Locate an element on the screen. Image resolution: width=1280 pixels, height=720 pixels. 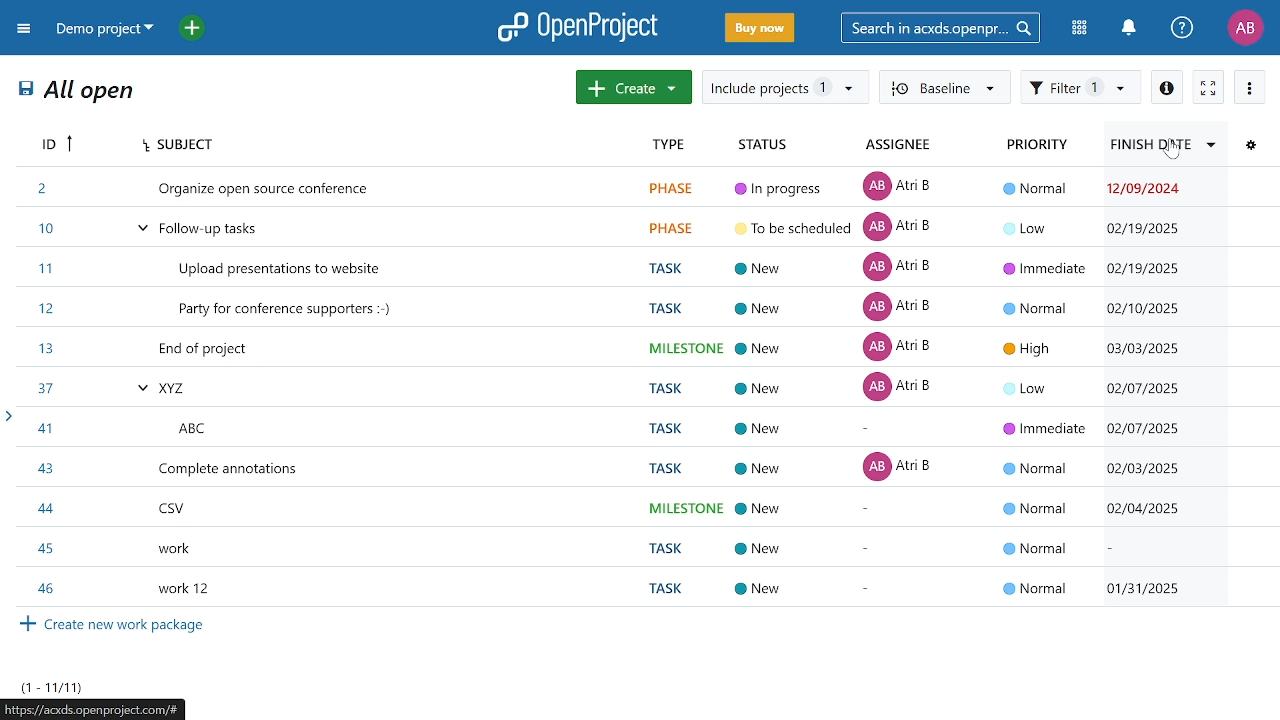
current project is located at coordinates (103, 30).